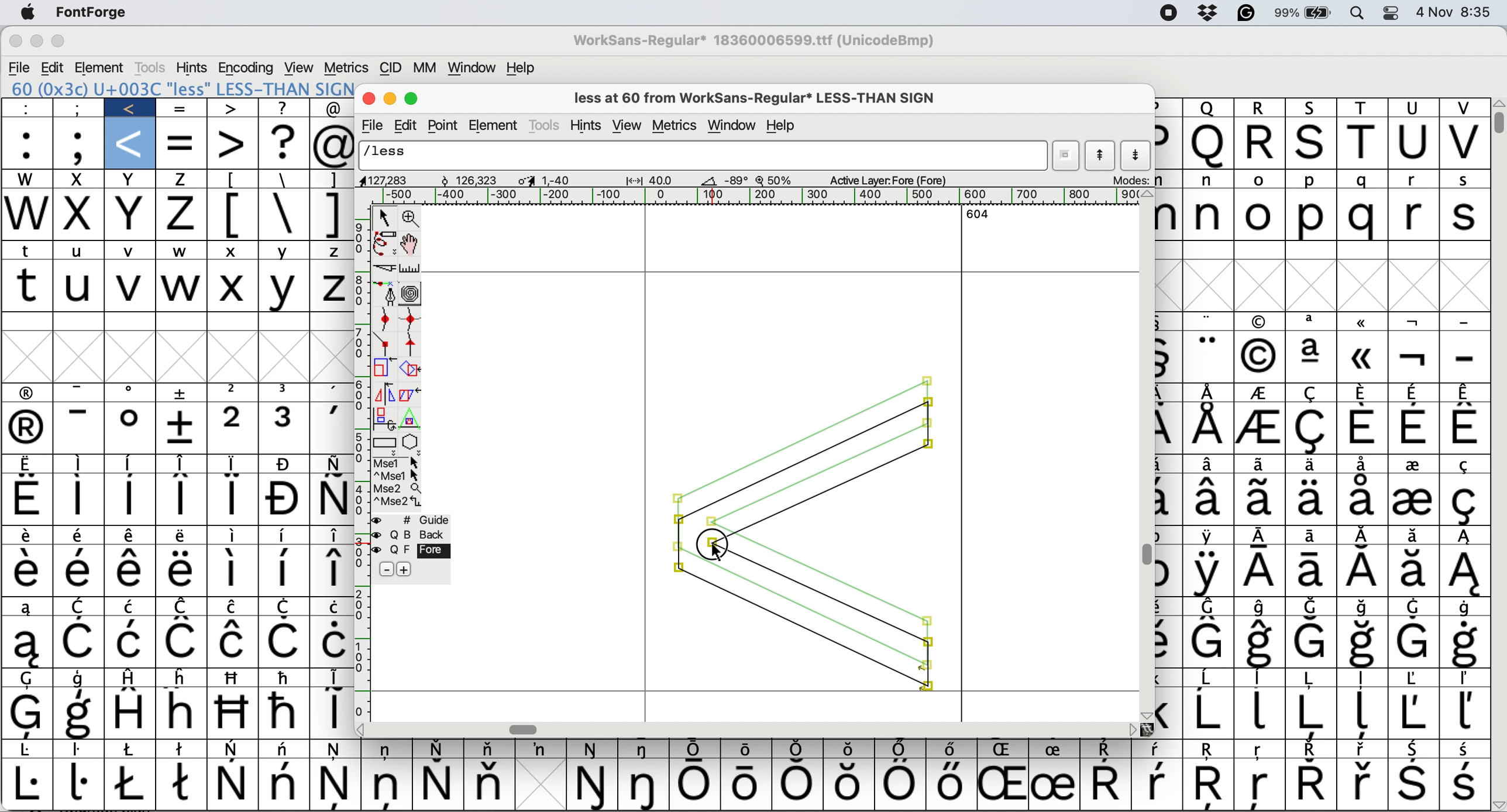  I want to click on q, so click(1209, 142).